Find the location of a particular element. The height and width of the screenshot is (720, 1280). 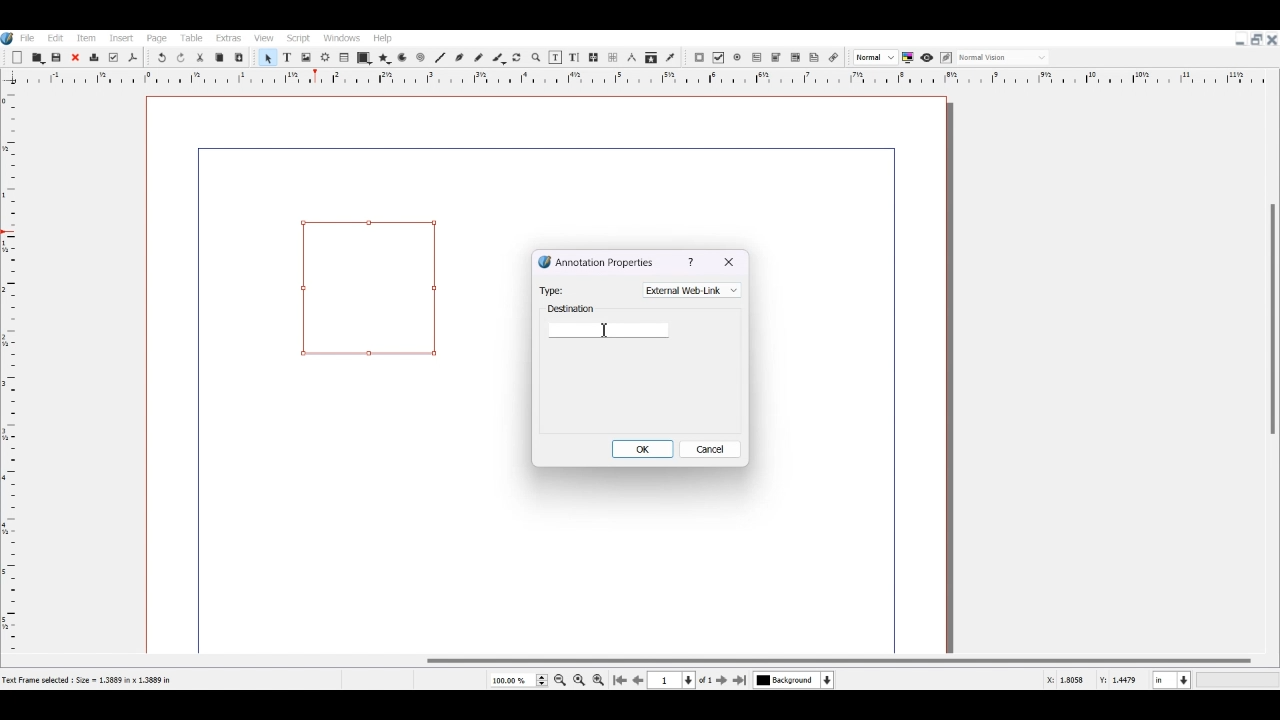

Open is located at coordinates (39, 57).